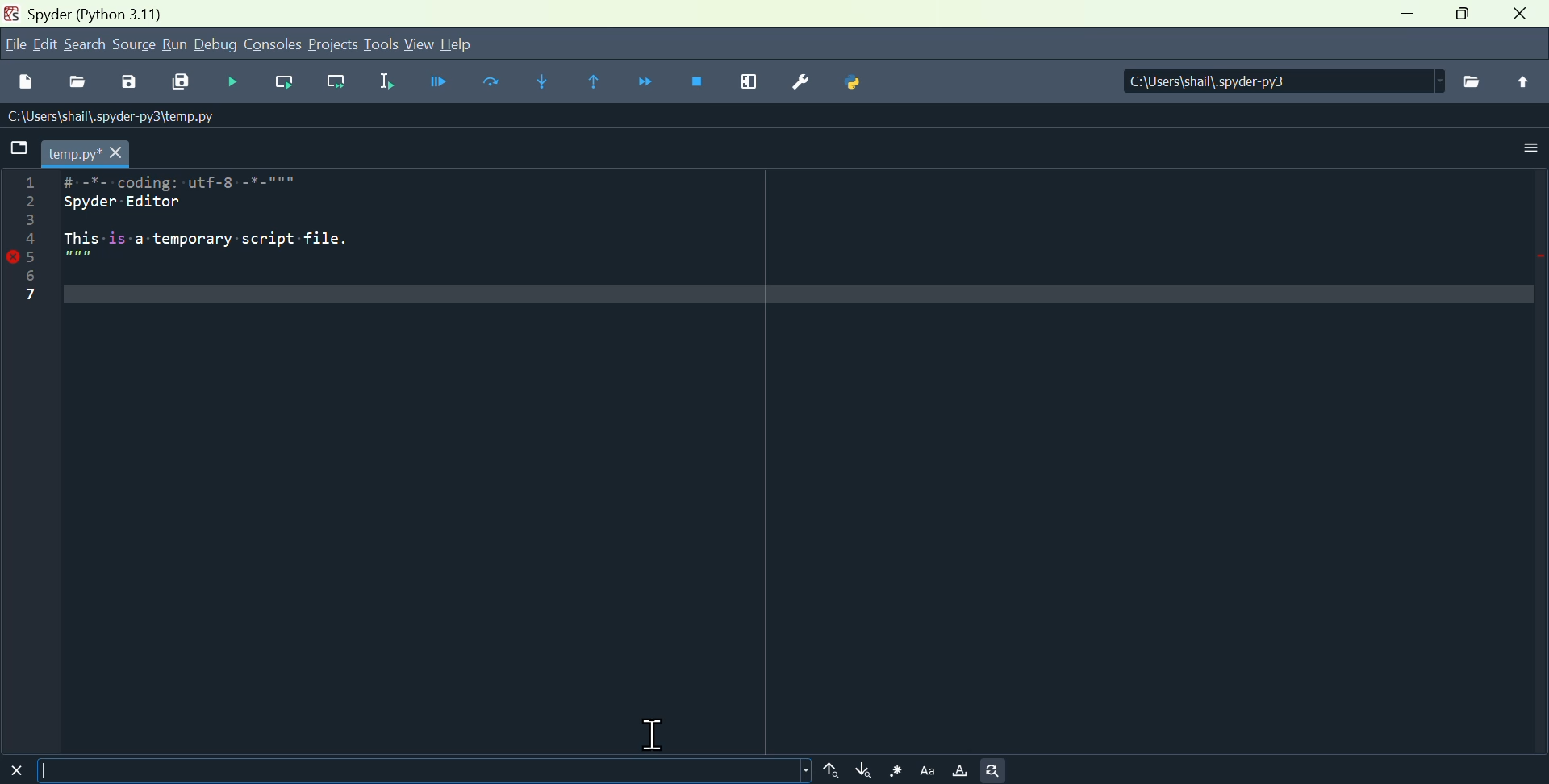  I want to click on Run, so click(177, 46).